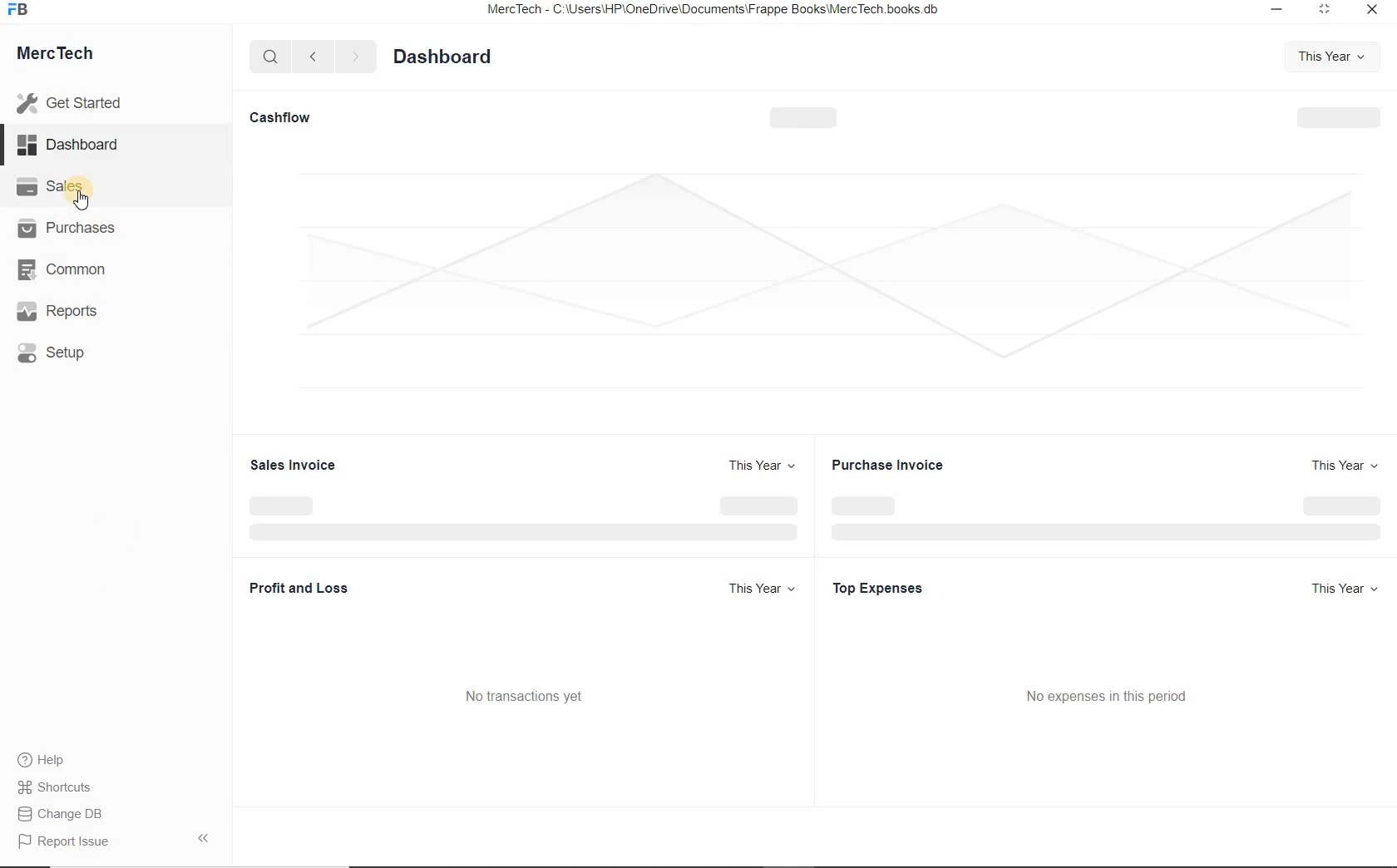  Describe the element at coordinates (68, 144) in the screenshot. I see `Dashboard` at that location.